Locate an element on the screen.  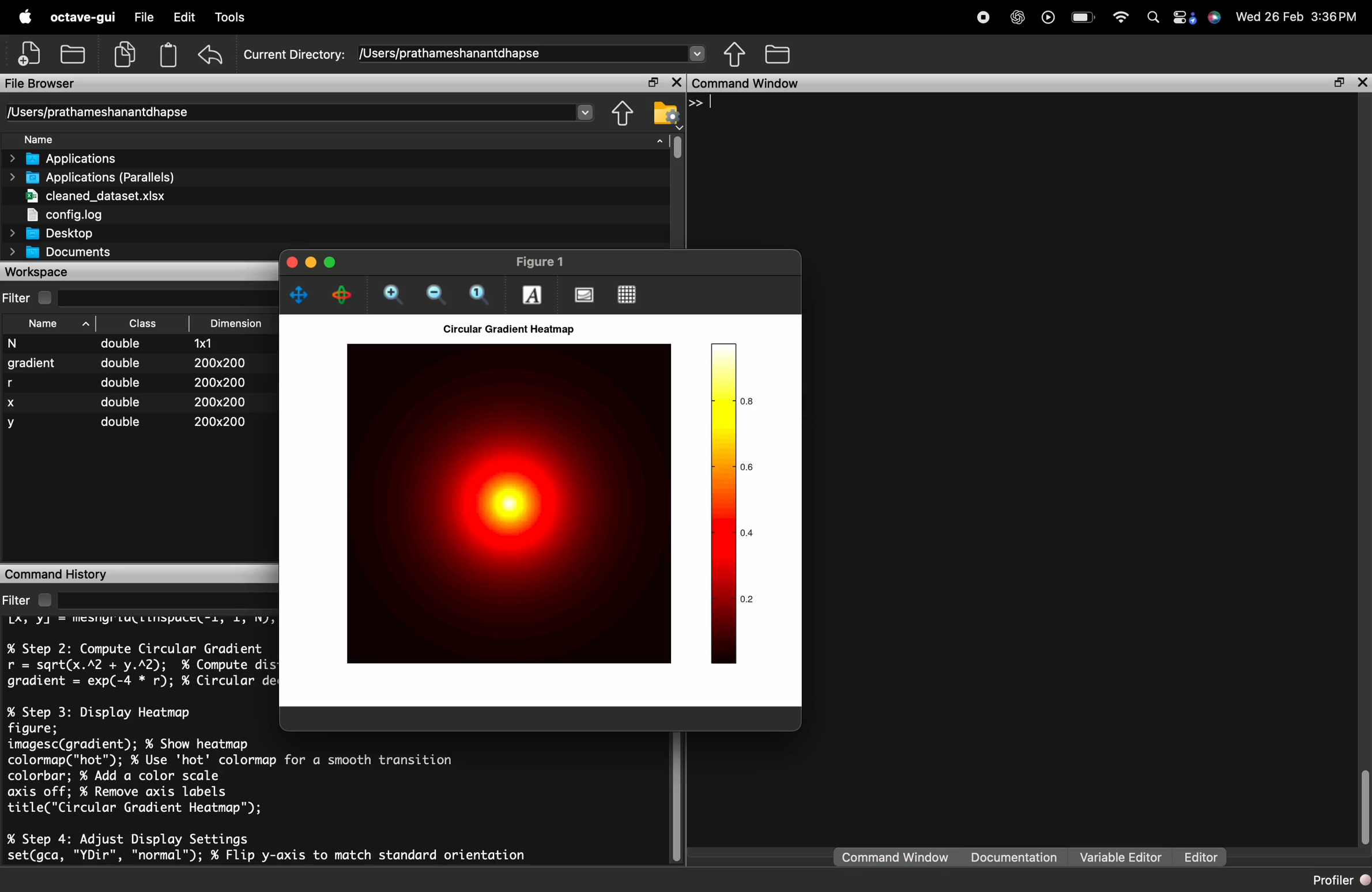
automatic limits for current axis is located at coordinates (478, 296).